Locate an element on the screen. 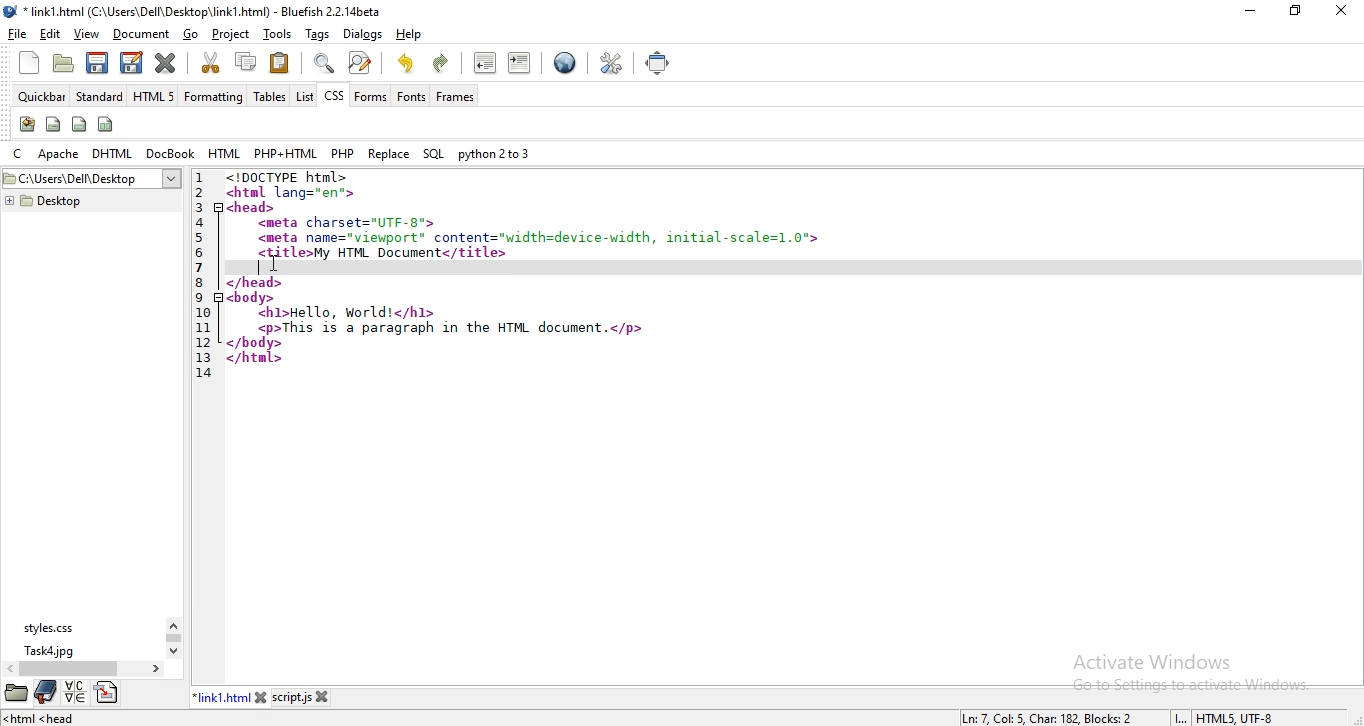 The image size is (1364, 726). file is located at coordinates (17, 32).